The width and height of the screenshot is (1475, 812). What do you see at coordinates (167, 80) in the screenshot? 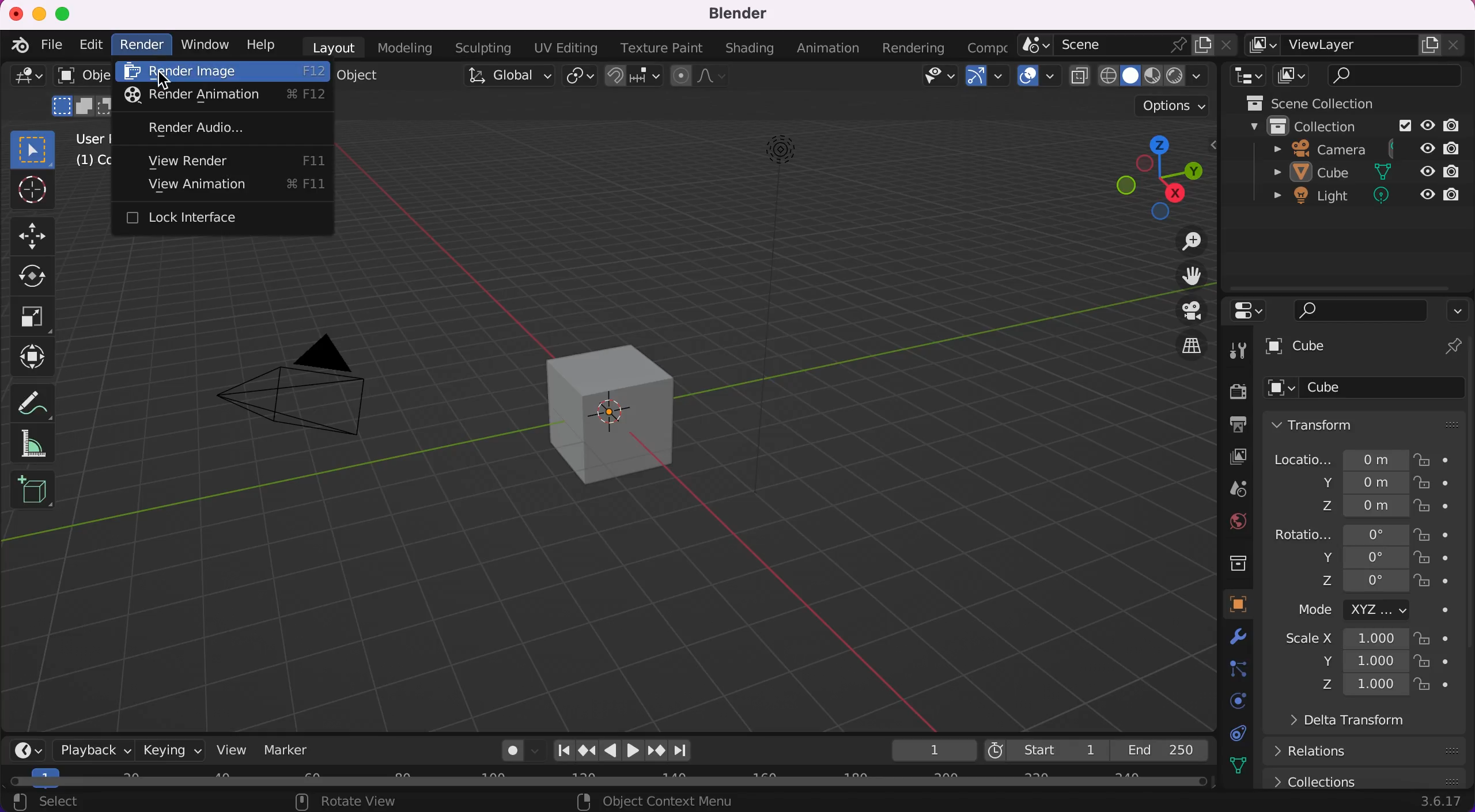
I see `cursor on render image` at bounding box center [167, 80].